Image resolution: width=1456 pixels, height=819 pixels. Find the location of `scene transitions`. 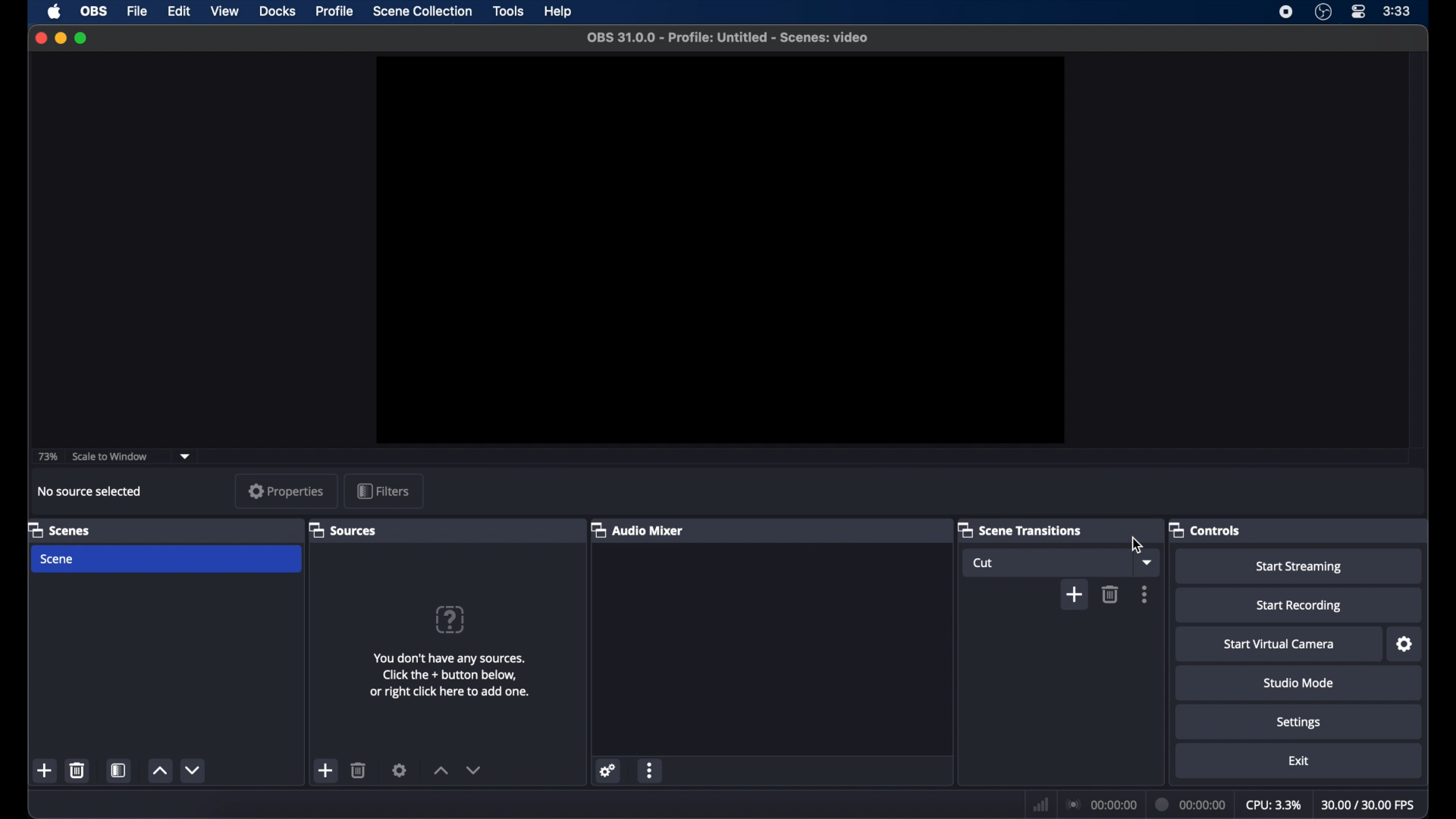

scene transitions is located at coordinates (1021, 529).